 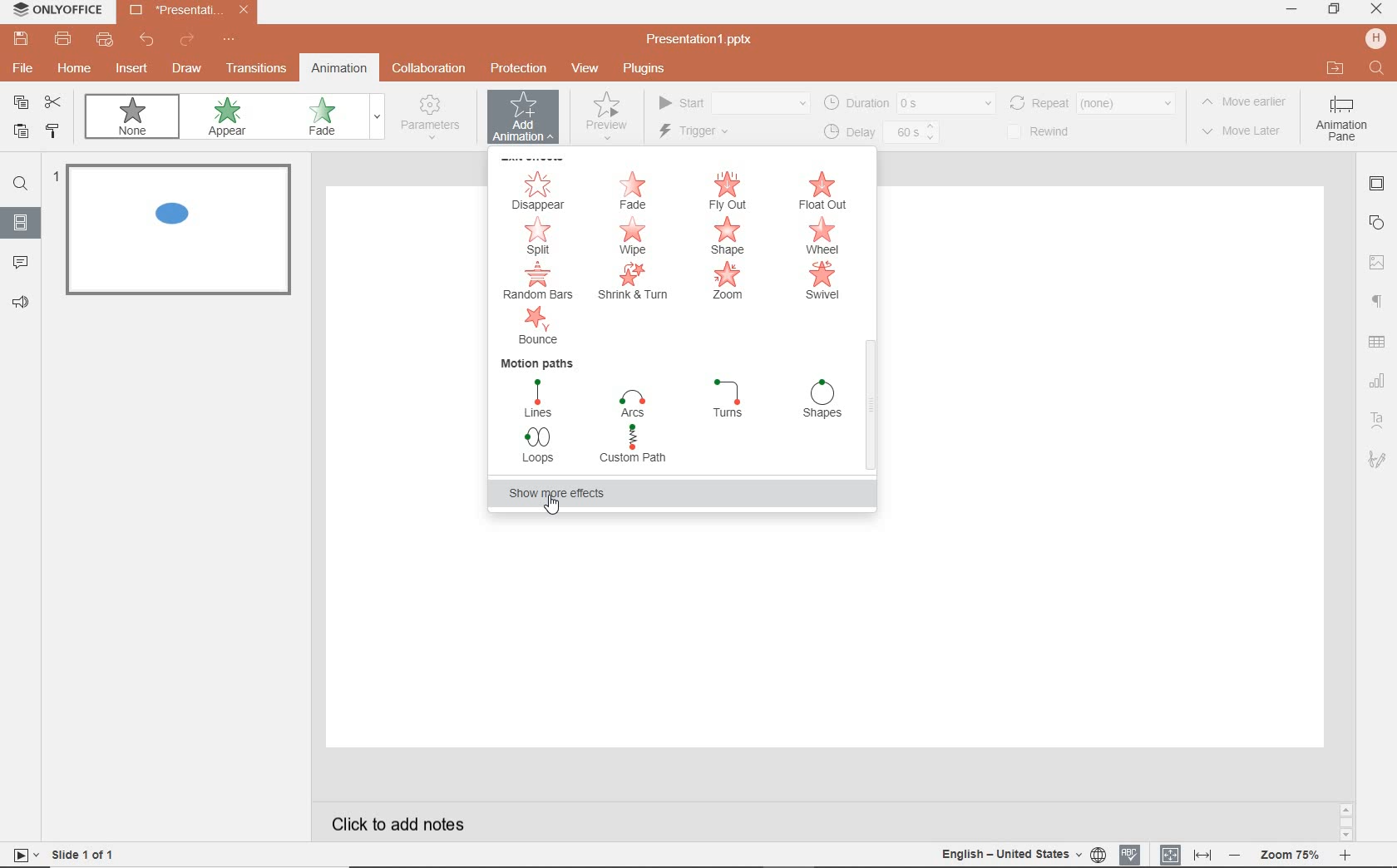 What do you see at coordinates (20, 39) in the screenshot?
I see `save` at bounding box center [20, 39].